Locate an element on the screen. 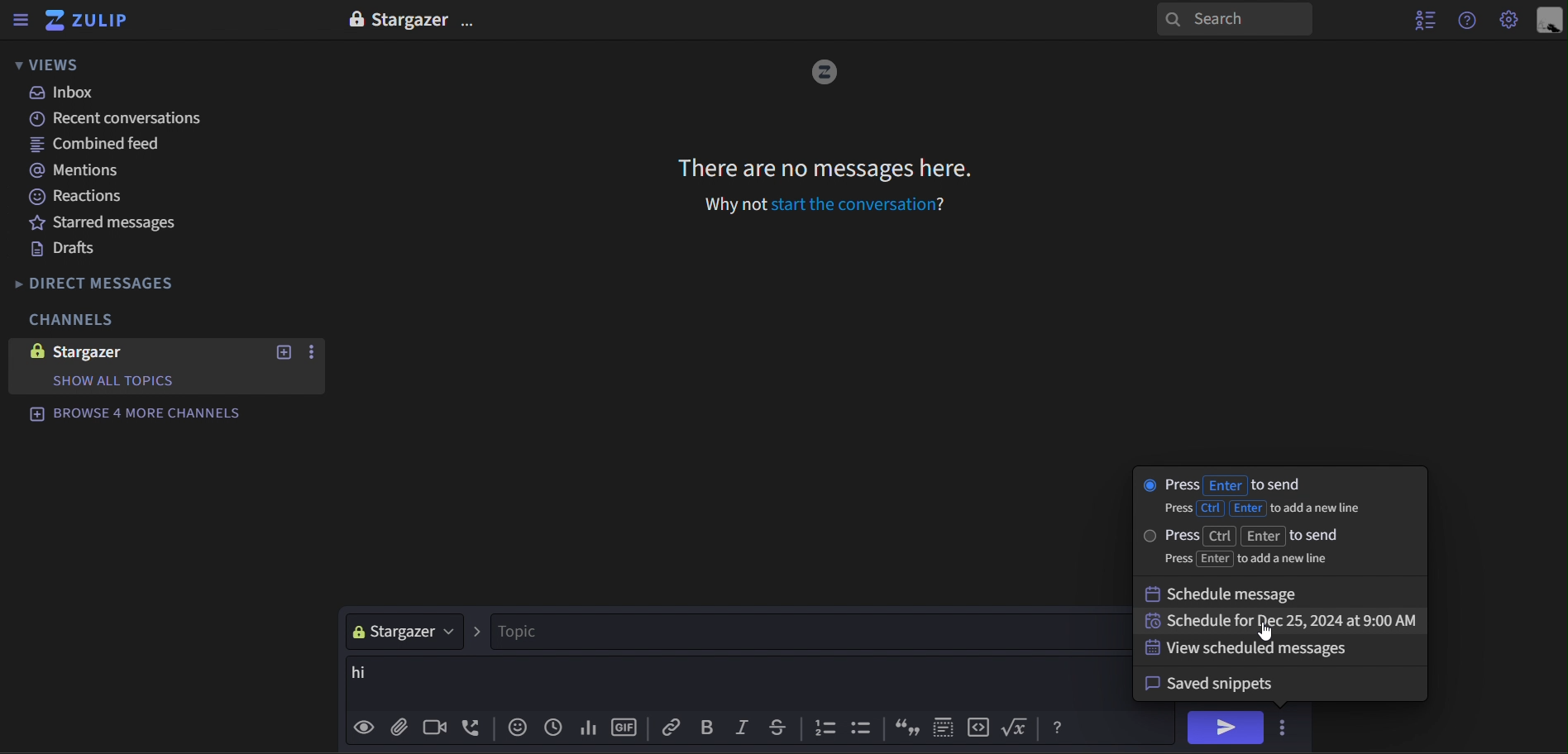  > is located at coordinates (480, 631).